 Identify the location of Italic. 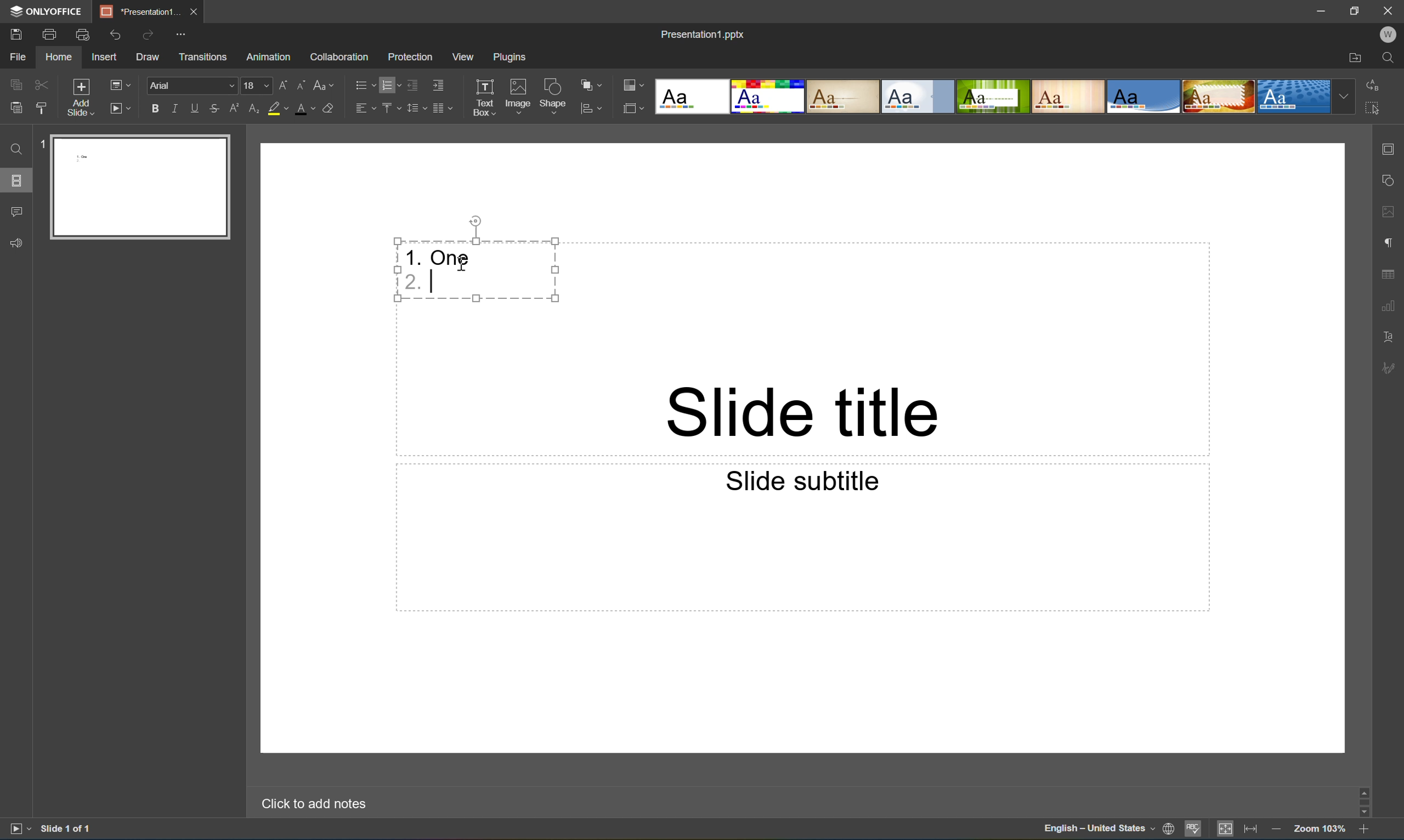
(179, 108).